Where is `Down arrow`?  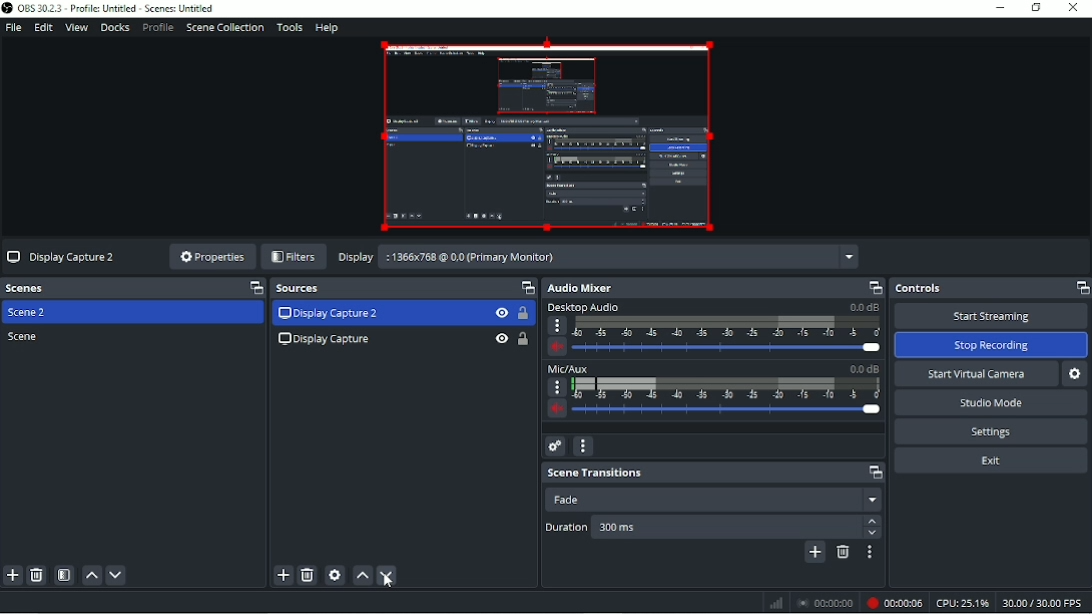 Down arrow is located at coordinates (873, 533).